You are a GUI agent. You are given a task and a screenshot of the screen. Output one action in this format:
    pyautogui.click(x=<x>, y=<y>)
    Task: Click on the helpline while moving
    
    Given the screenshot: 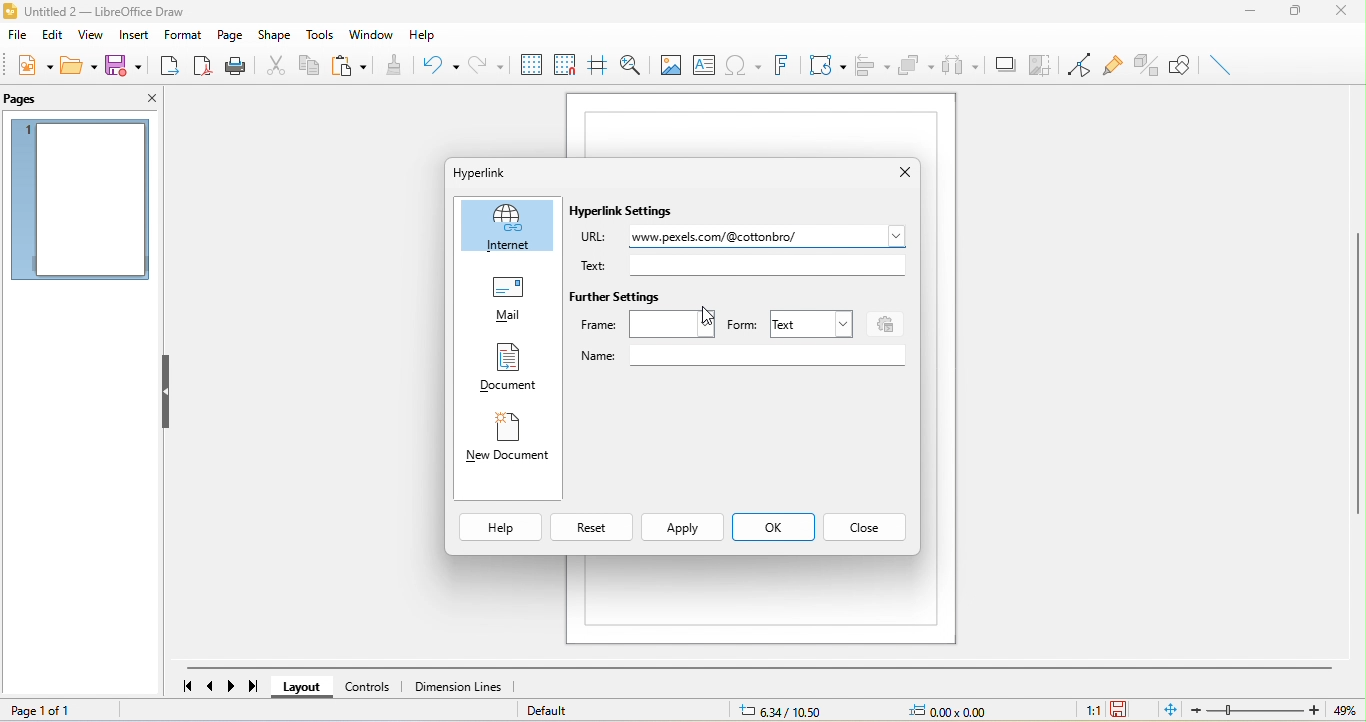 What is the action you would take?
    pyautogui.click(x=595, y=62)
    